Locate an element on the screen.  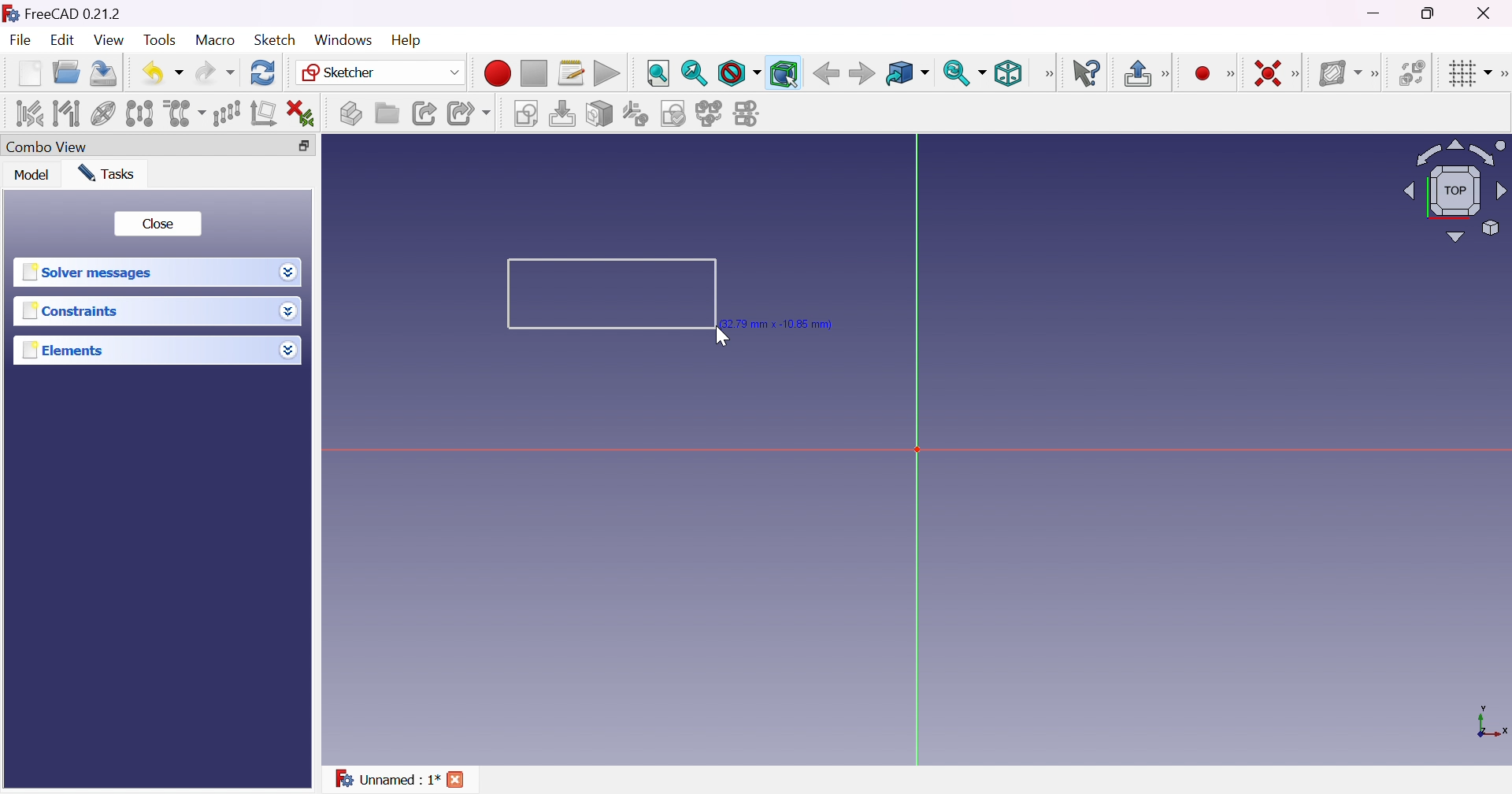
Help is located at coordinates (408, 41).